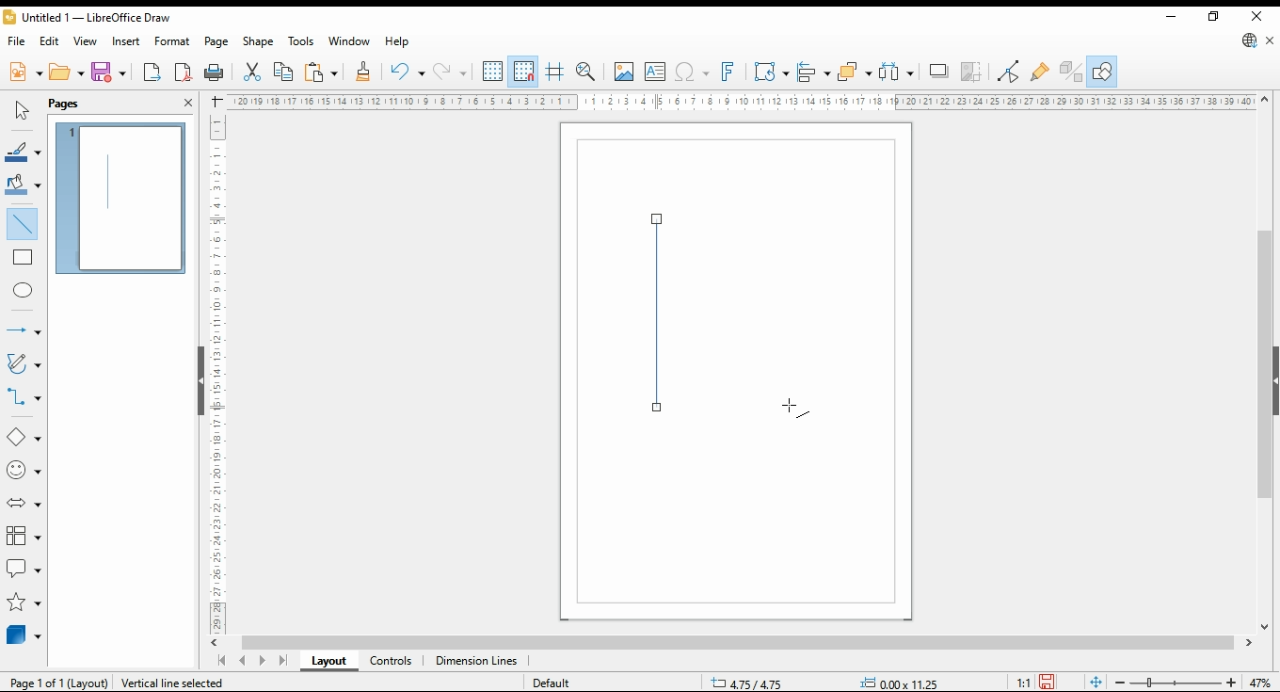 The width and height of the screenshot is (1280, 692). What do you see at coordinates (1036, 680) in the screenshot?
I see `1:1 ratio` at bounding box center [1036, 680].